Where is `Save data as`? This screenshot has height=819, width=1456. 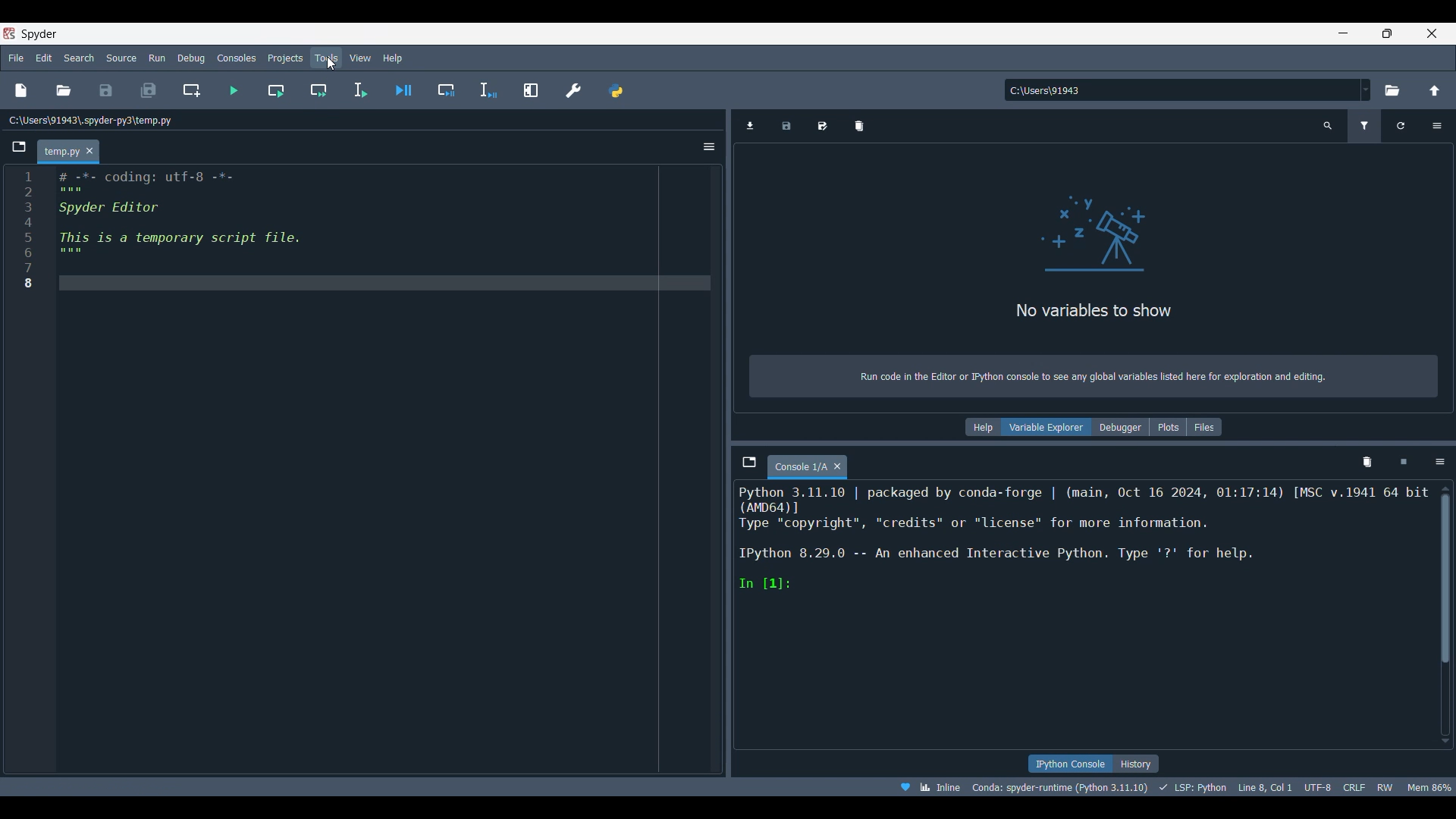 Save data as is located at coordinates (823, 126).